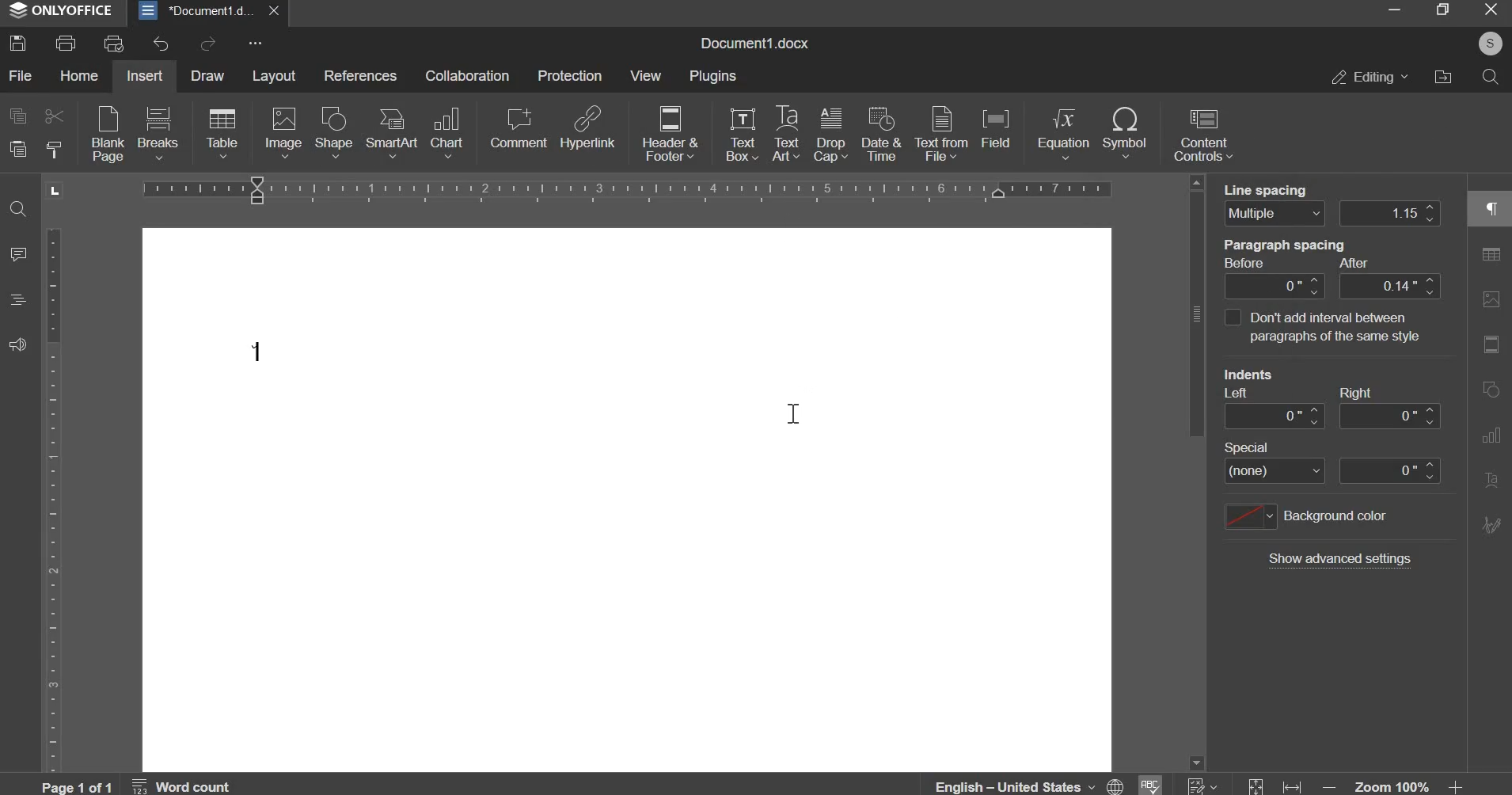 The image size is (1512, 795). What do you see at coordinates (208, 44) in the screenshot?
I see `redo` at bounding box center [208, 44].